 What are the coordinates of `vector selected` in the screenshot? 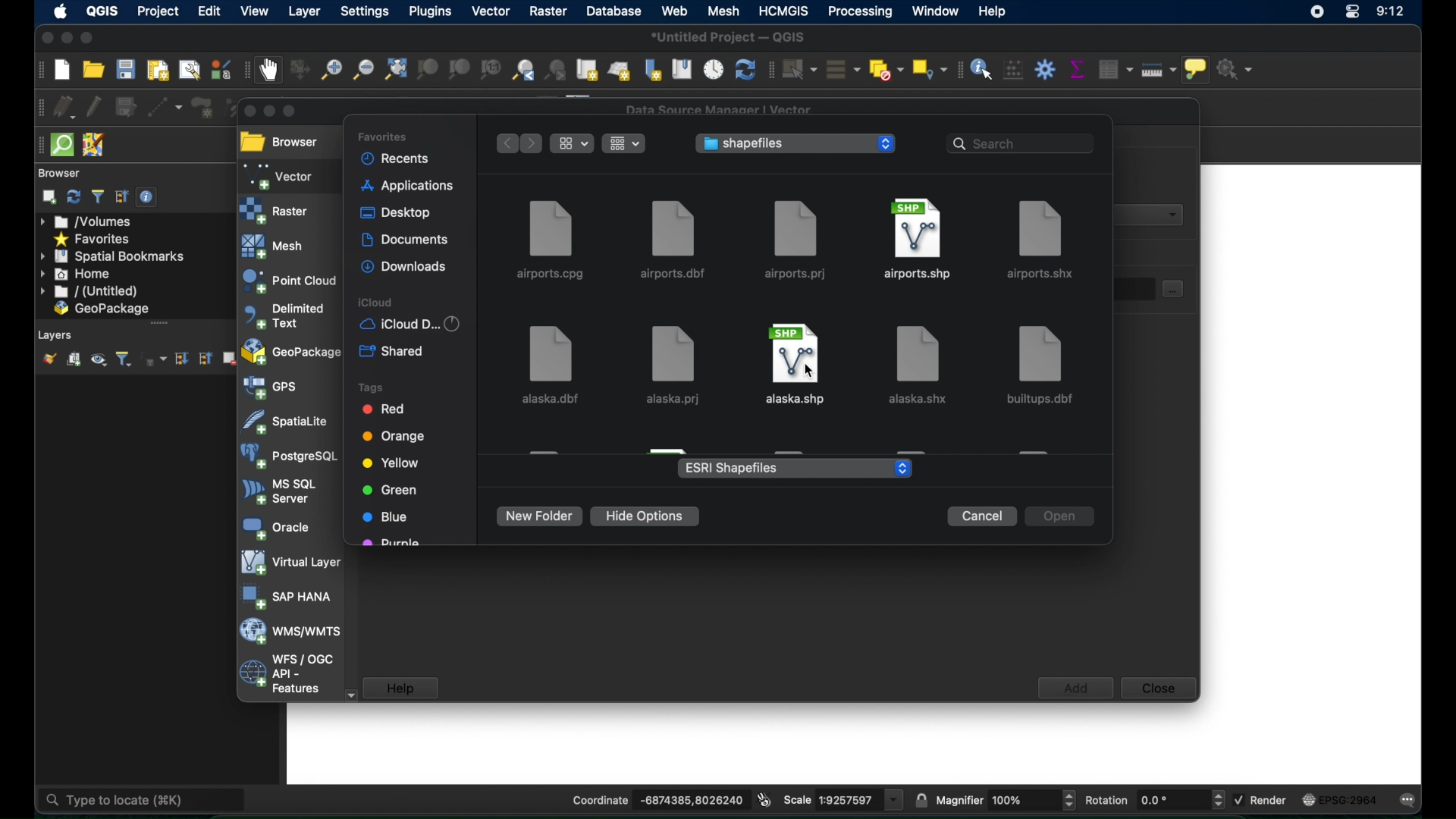 It's located at (280, 175).